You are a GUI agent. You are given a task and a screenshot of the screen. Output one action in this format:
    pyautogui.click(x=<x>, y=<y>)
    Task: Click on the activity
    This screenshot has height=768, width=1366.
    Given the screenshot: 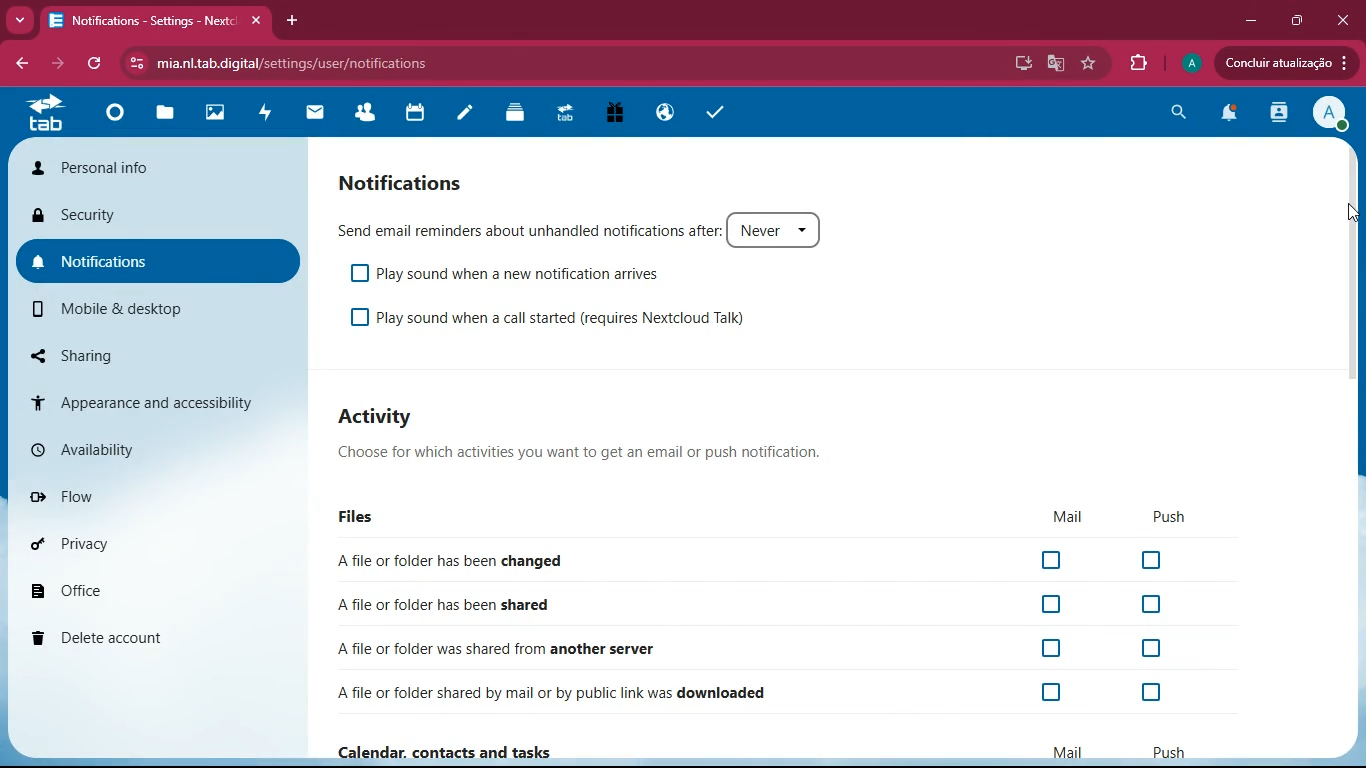 What is the action you would take?
    pyautogui.click(x=266, y=118)
    